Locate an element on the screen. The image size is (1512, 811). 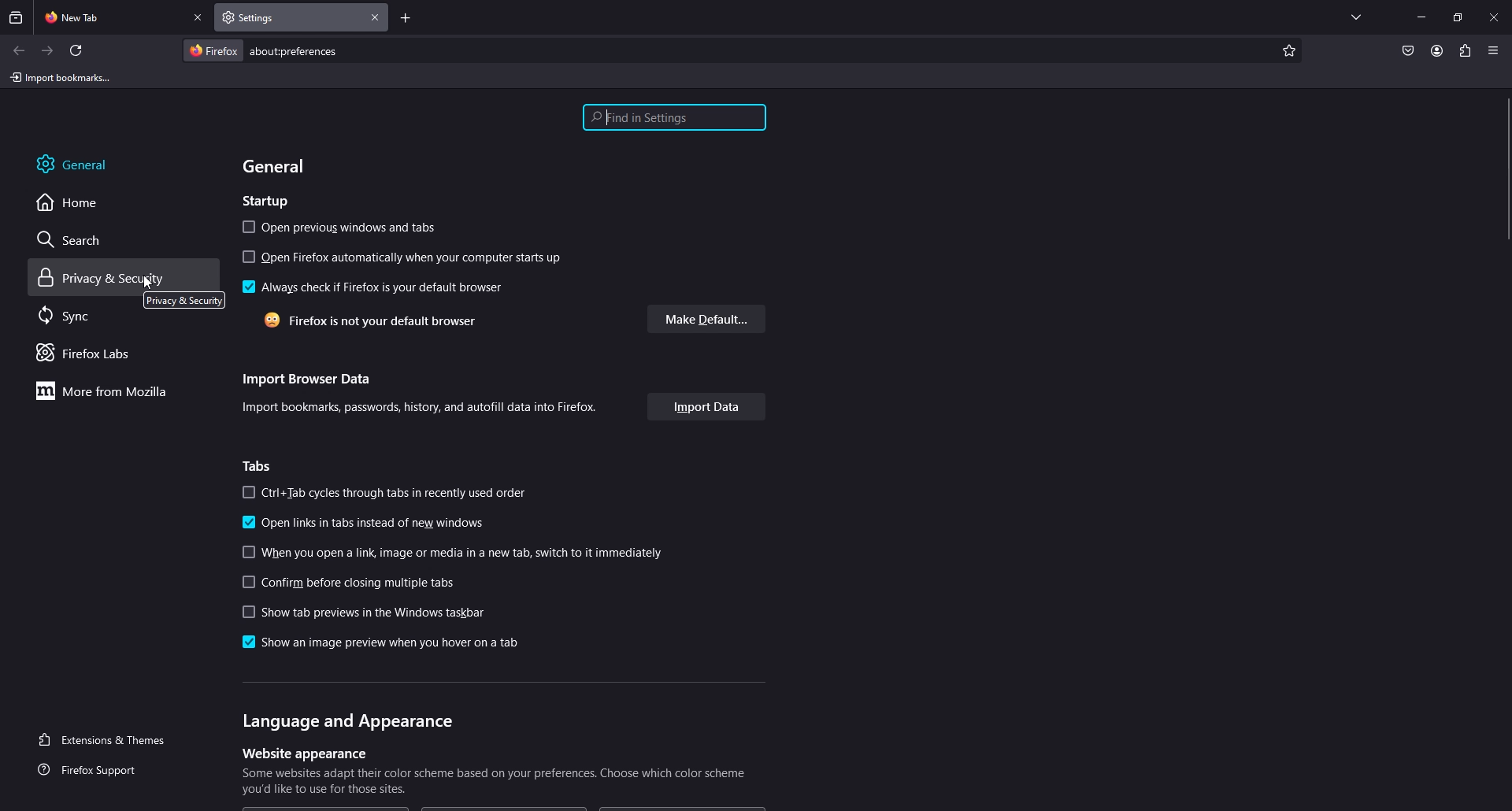
Website appearance is located at coordinates (302, 753).